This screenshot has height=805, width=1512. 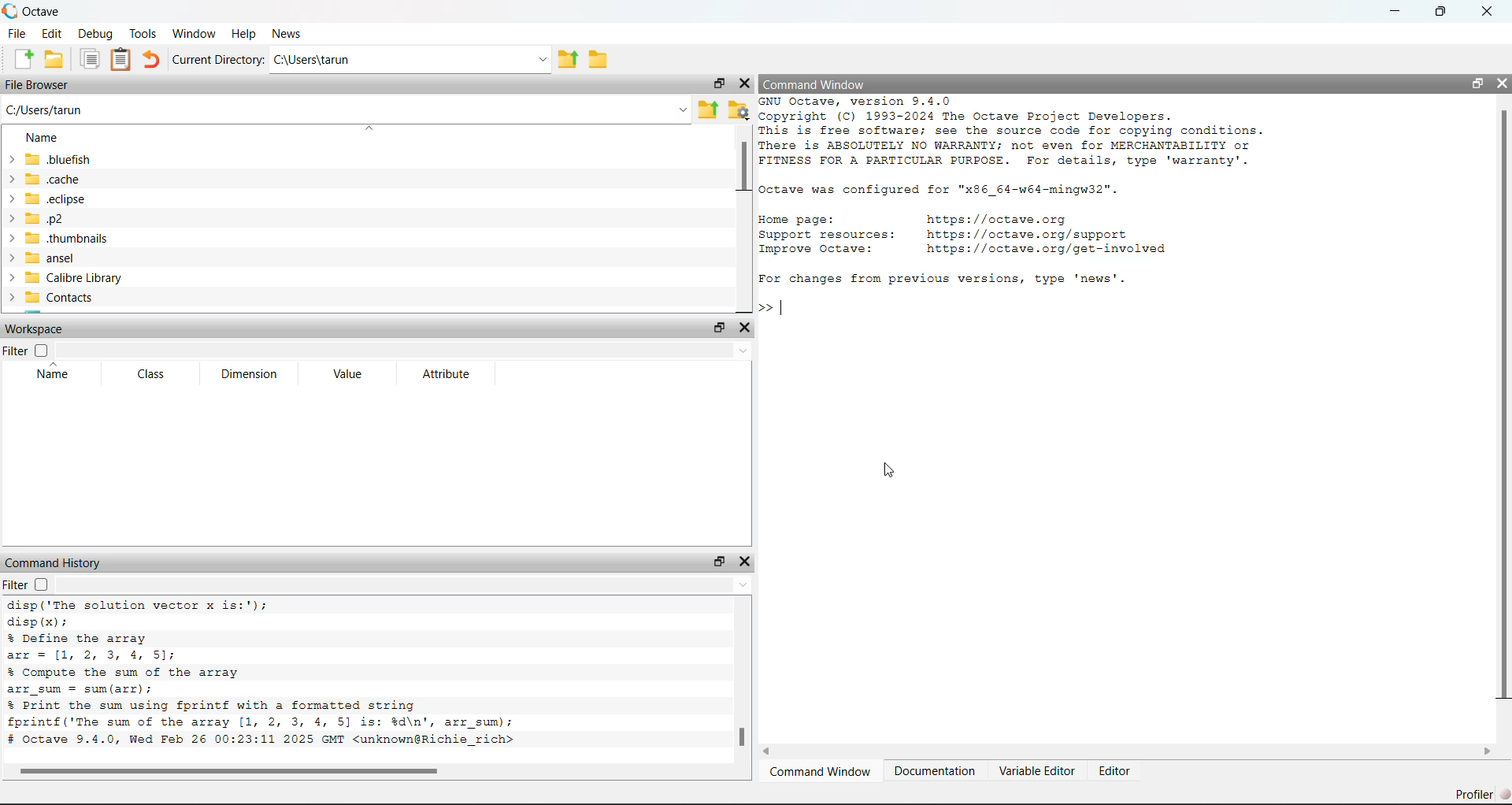 What do you see at coordinates (1474, 84) in the screenshot?
I see `Maximize` at bounding box center [1474, 84].